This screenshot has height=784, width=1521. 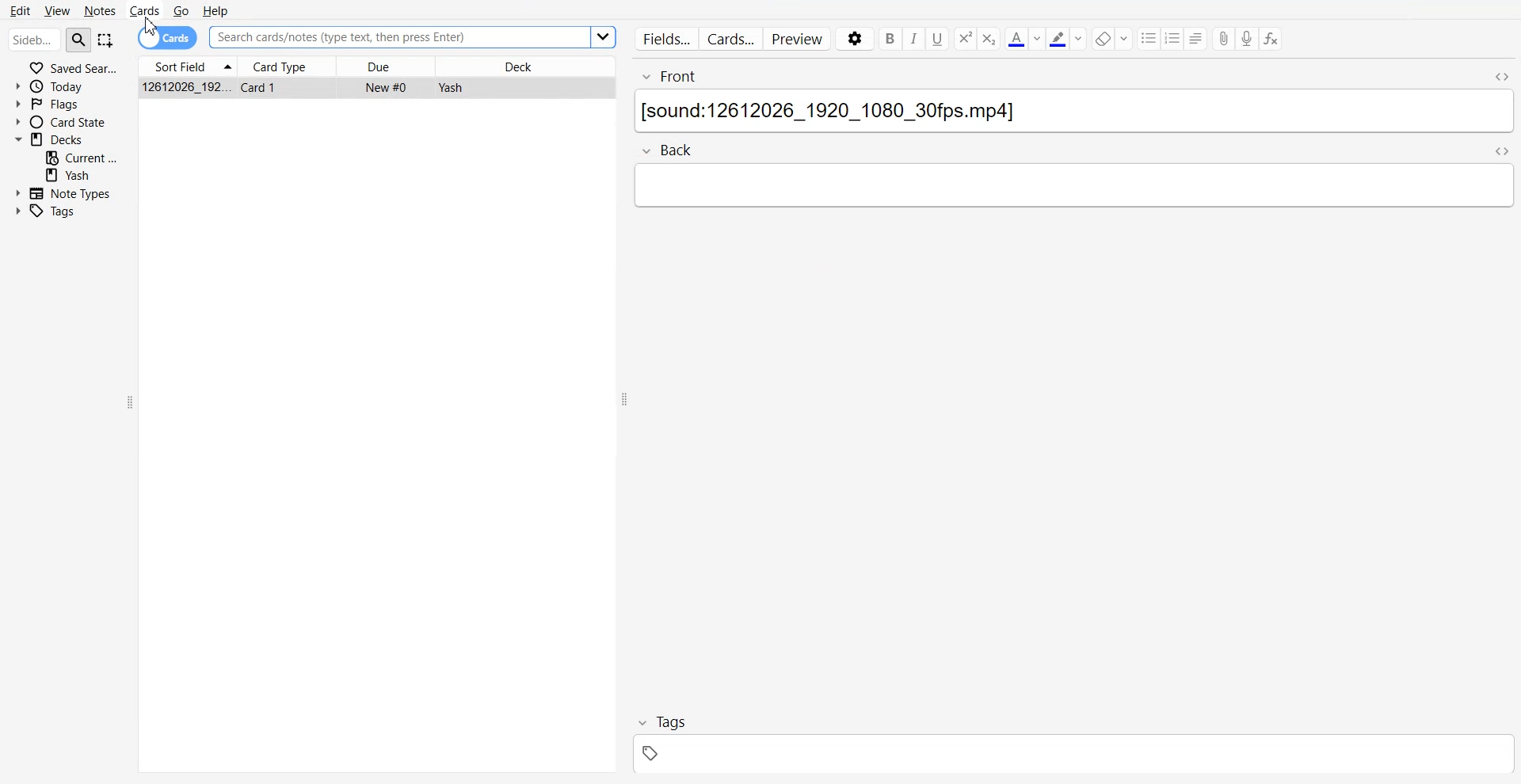 I want to click on Yash, so click(x=82, y=175).